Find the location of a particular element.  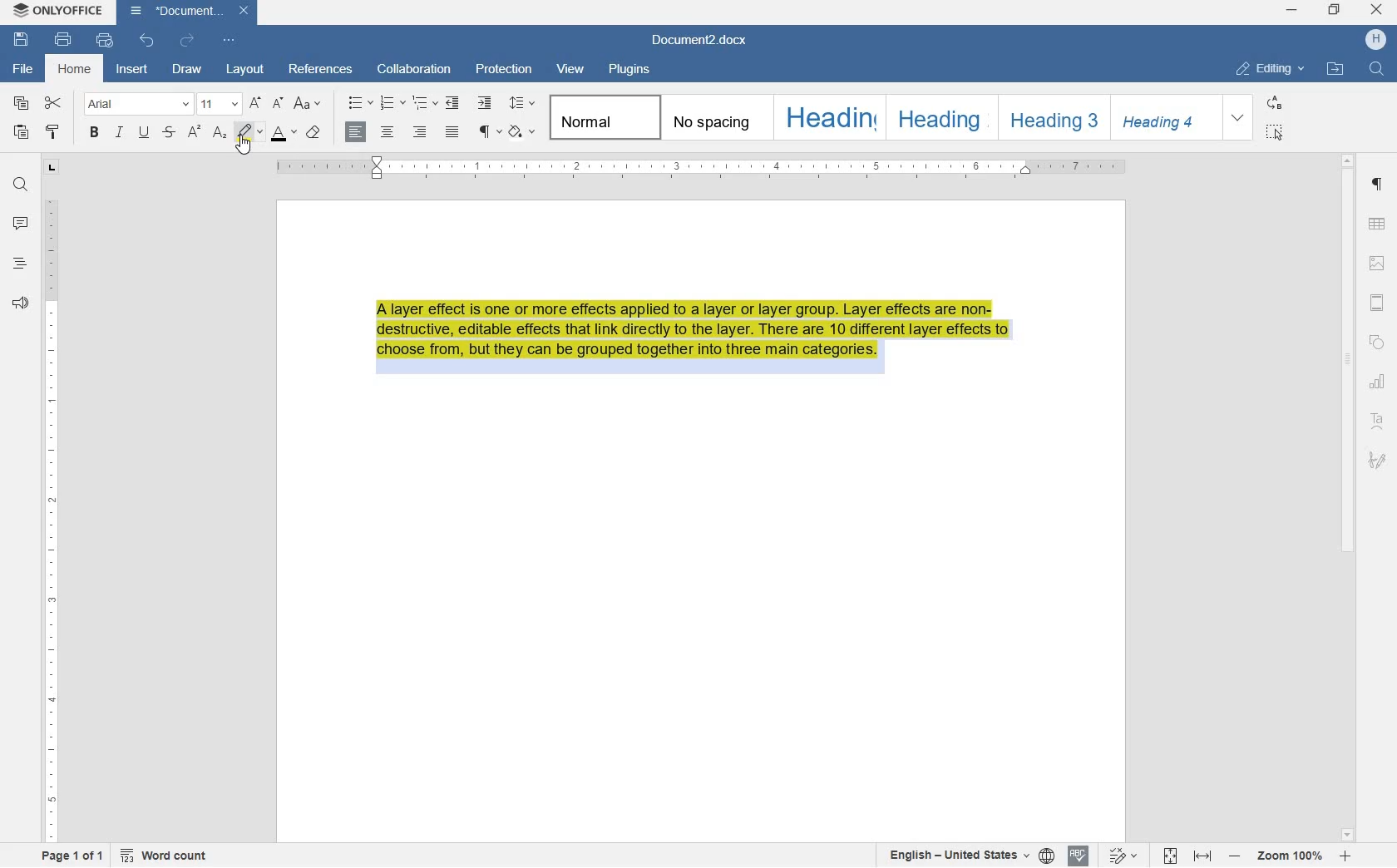

HEADING 1 is located at coordinates (827, 117).